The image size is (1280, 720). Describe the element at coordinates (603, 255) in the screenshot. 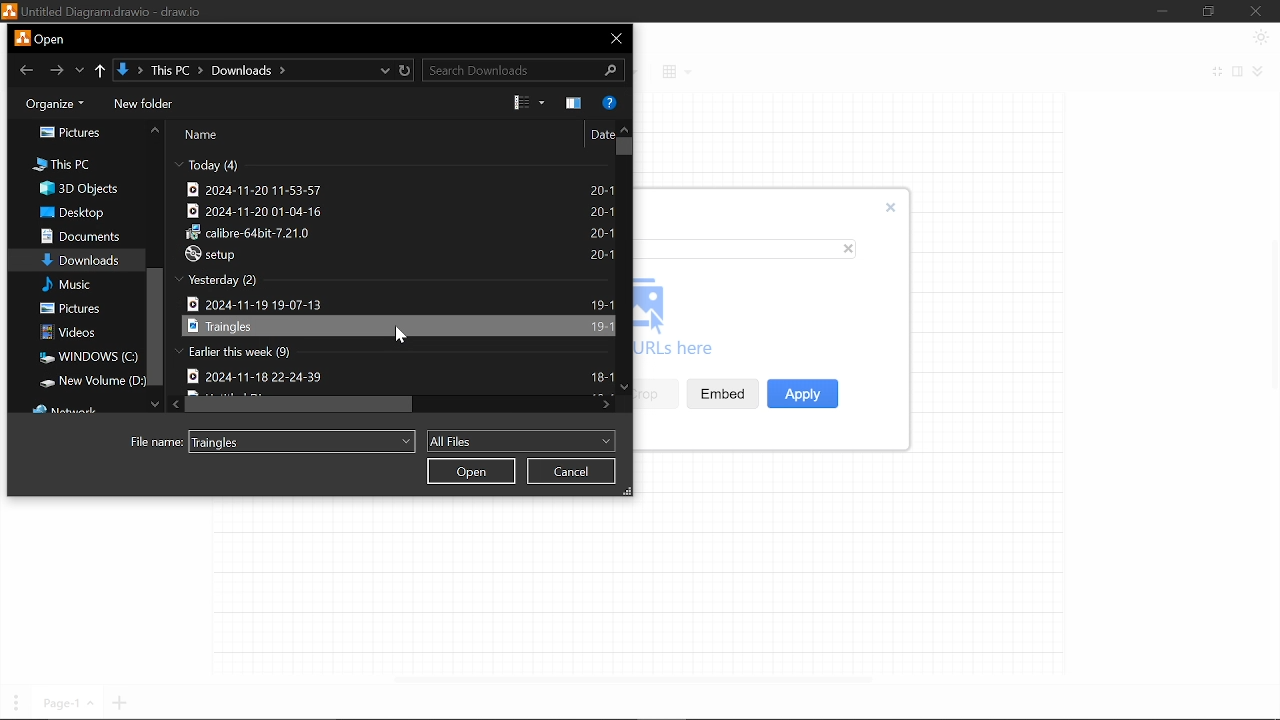

I see `20-1` at that location.